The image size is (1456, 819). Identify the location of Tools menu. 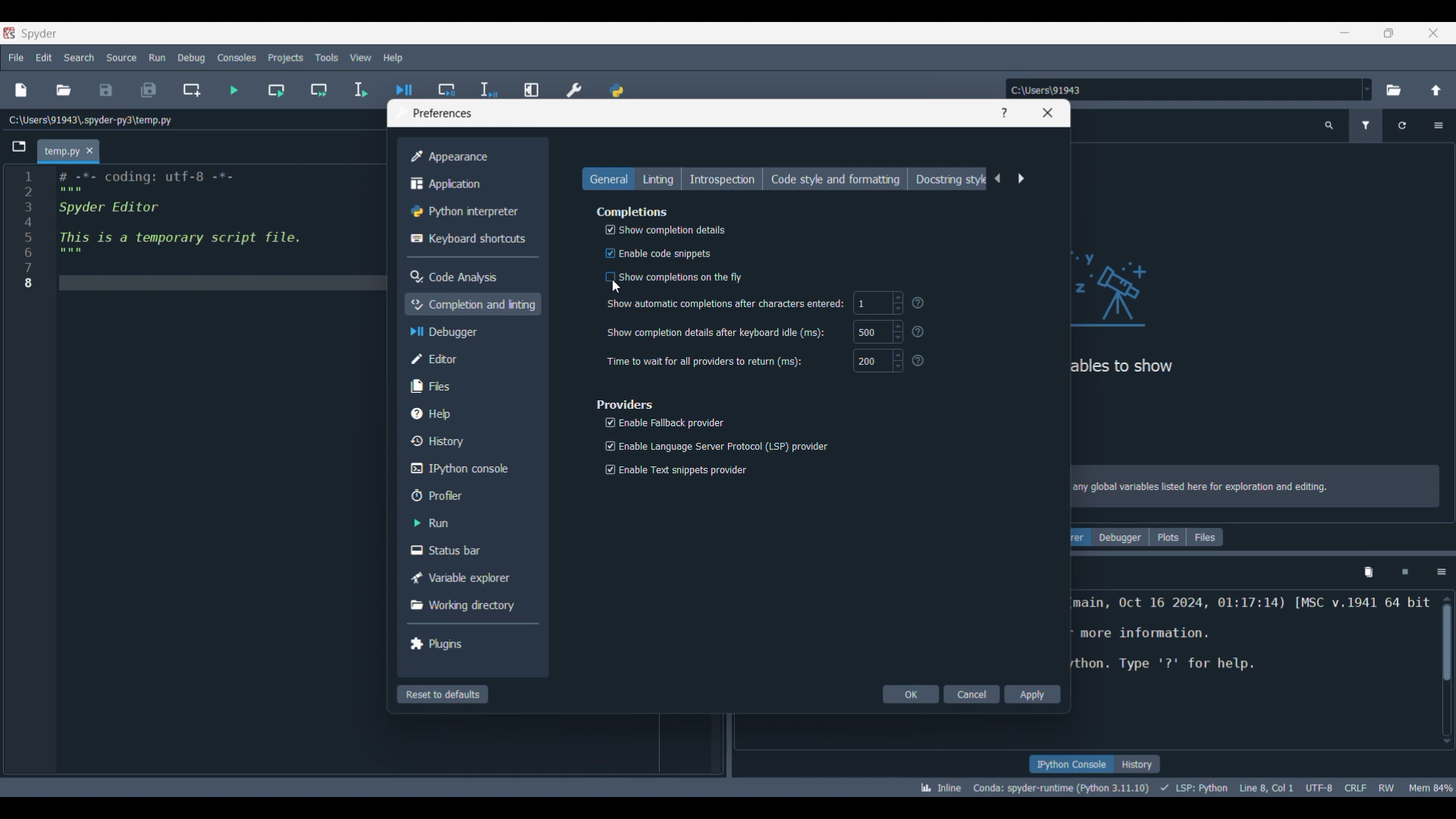
(327, 58).